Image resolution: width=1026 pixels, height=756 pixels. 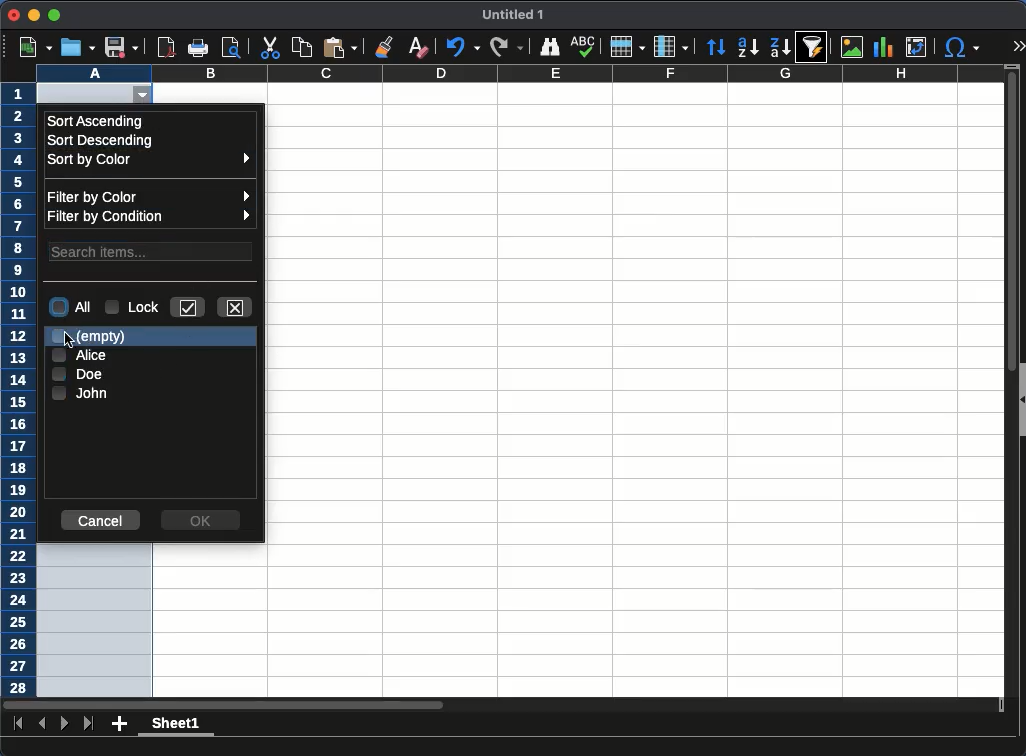 What do you see at coordinates (37, 48) in the screenshot?
I see `new` at bounding box center [37, 48].